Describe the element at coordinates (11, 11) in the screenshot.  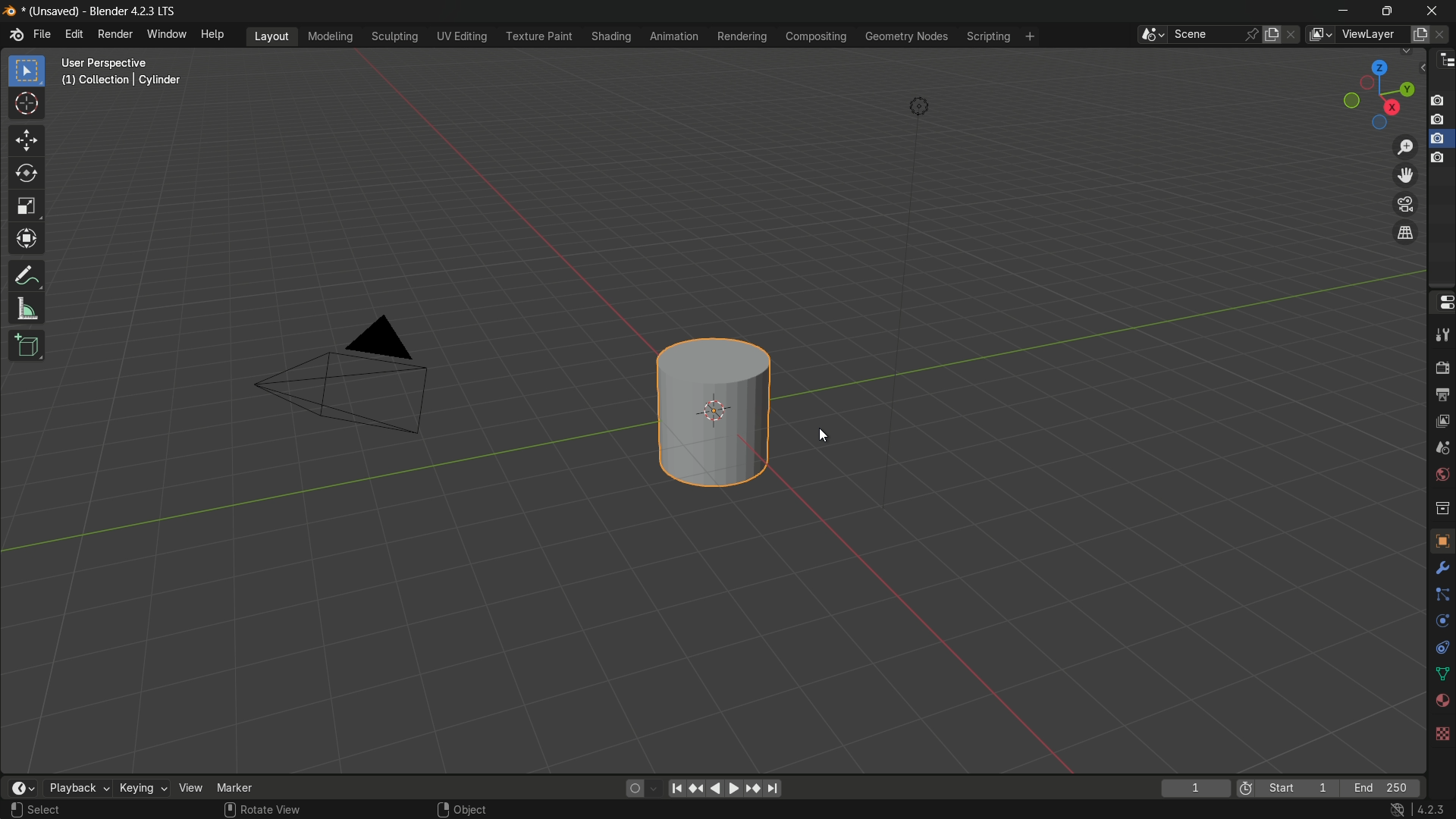
I see `logo` at that location.